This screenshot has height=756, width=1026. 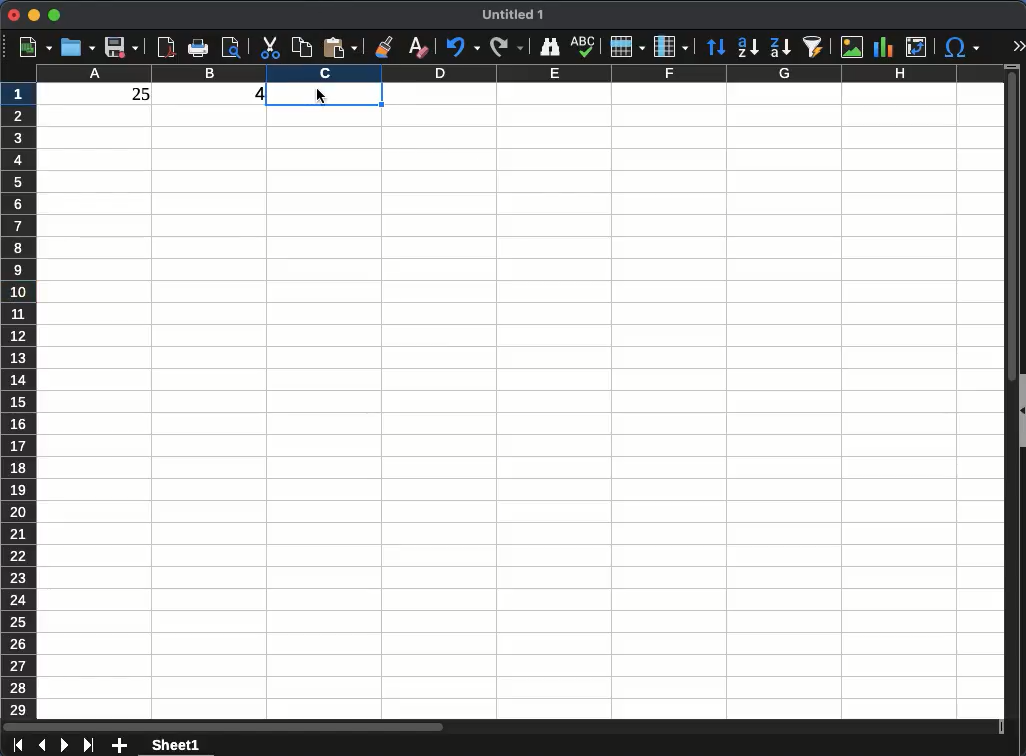 I want to click on selected, so click(x=326, y=98).